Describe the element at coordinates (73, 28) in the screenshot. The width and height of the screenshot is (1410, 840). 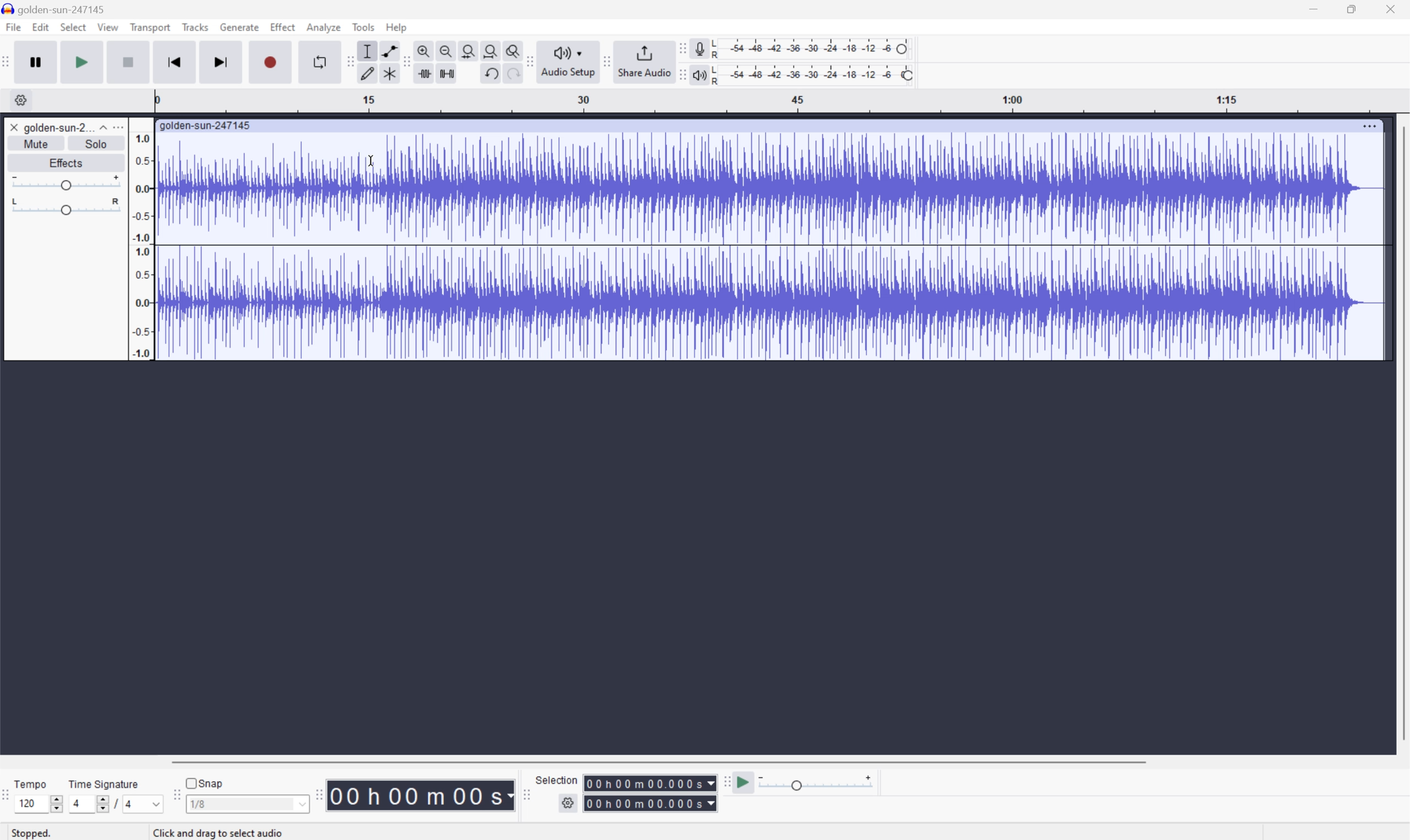
I see `Select` at that location.